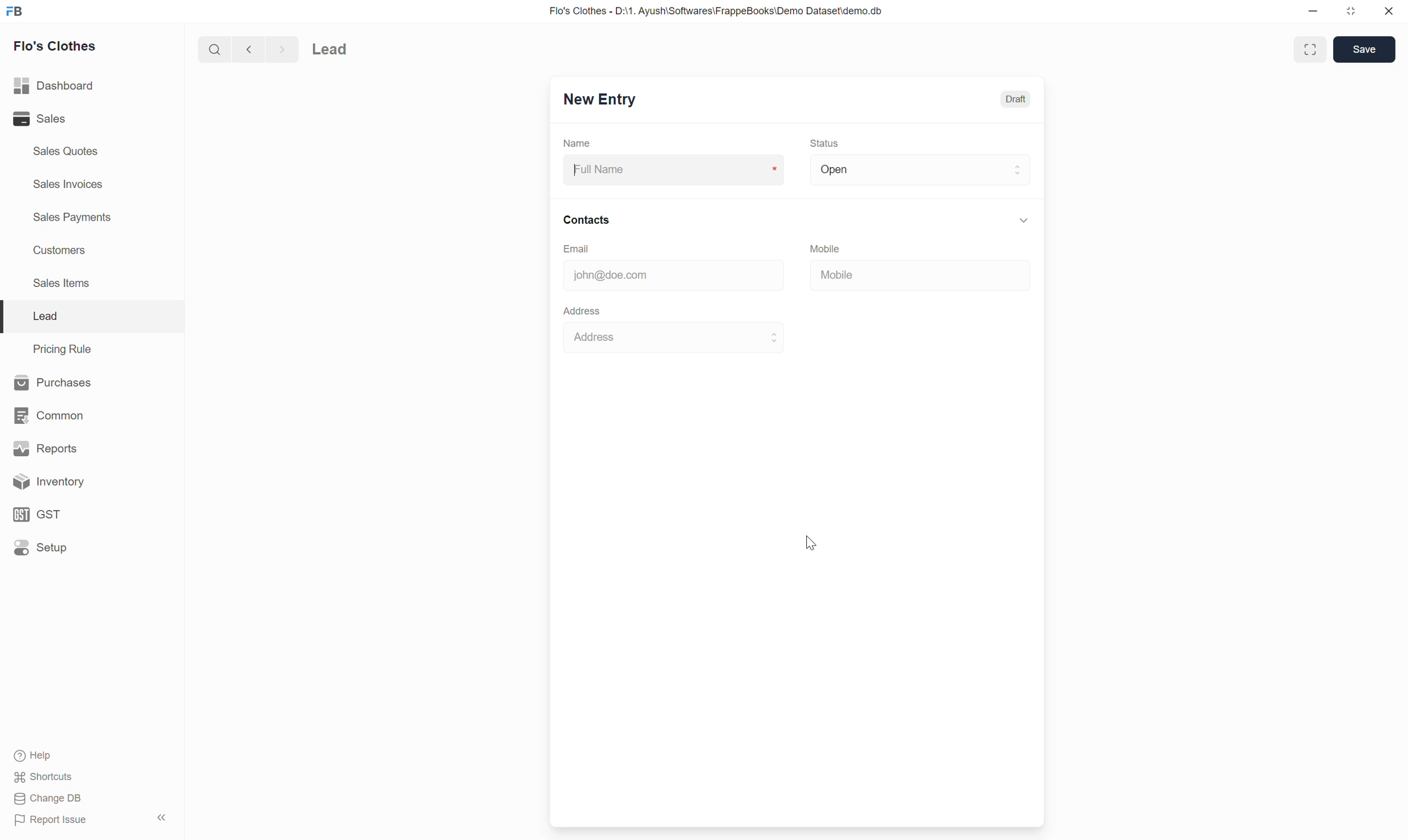  Describe the element at coordinates (45, 316) in the screenshot. I see `Lead` at that location.